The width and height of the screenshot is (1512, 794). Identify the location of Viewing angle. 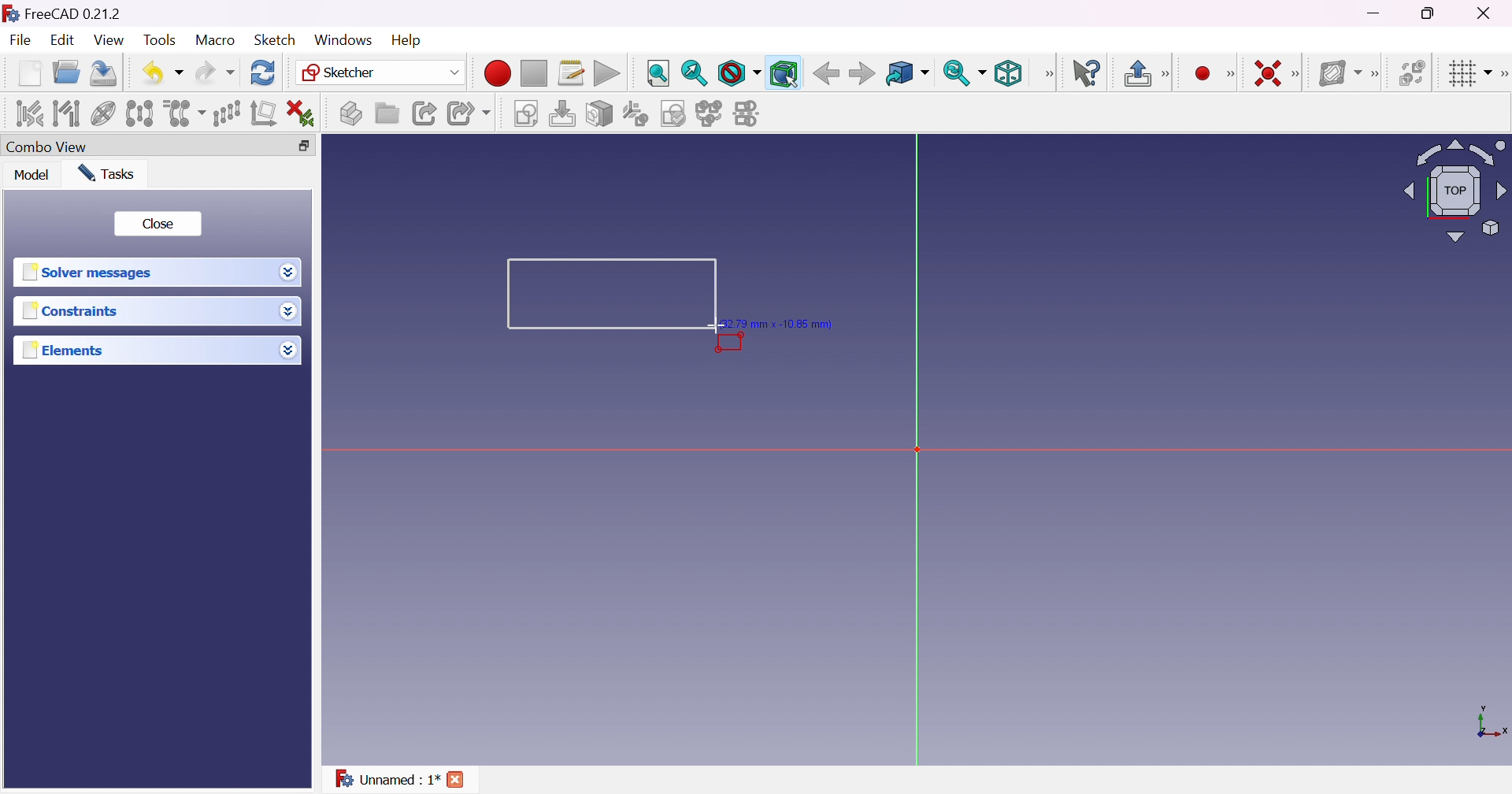
(1455, 191).